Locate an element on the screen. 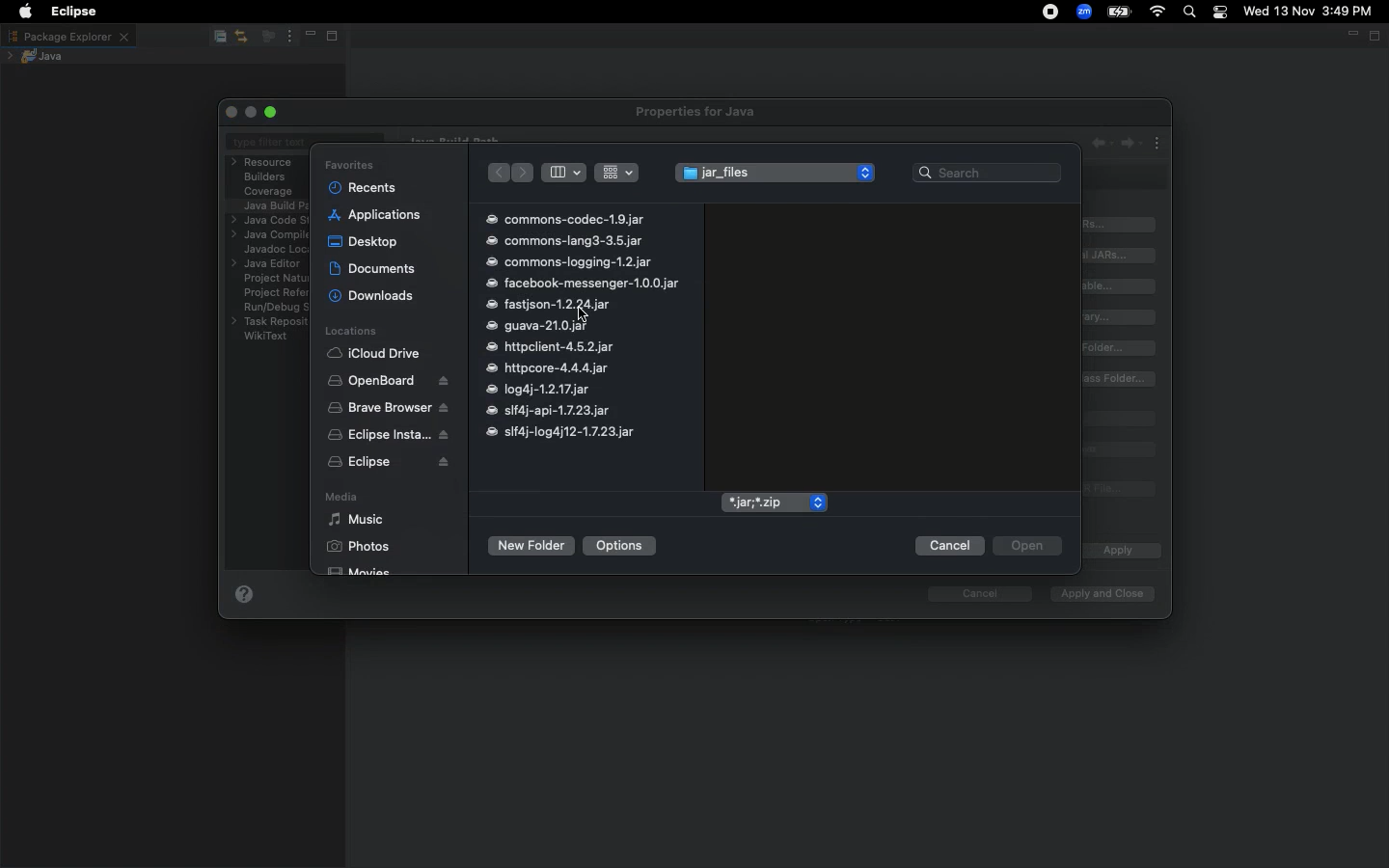 The width and height of the screenshot is (1389, 868). Apply is located at coordinates (1116, 552).